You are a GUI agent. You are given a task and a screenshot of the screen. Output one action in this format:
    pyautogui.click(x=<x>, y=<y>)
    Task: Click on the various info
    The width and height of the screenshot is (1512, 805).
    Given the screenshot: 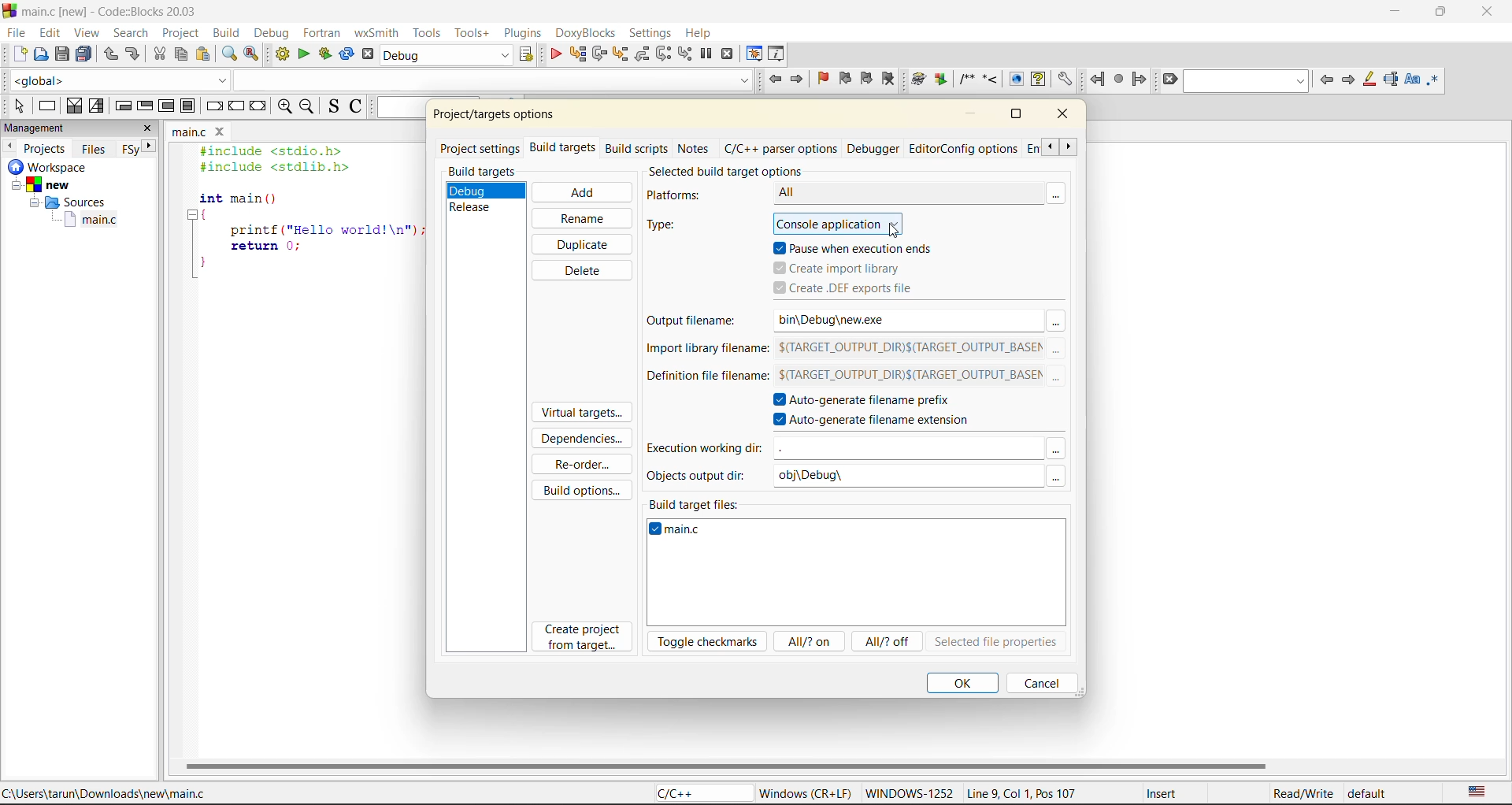 What is the action you would take?
    pyautogui.click(x=777, y=54)
    